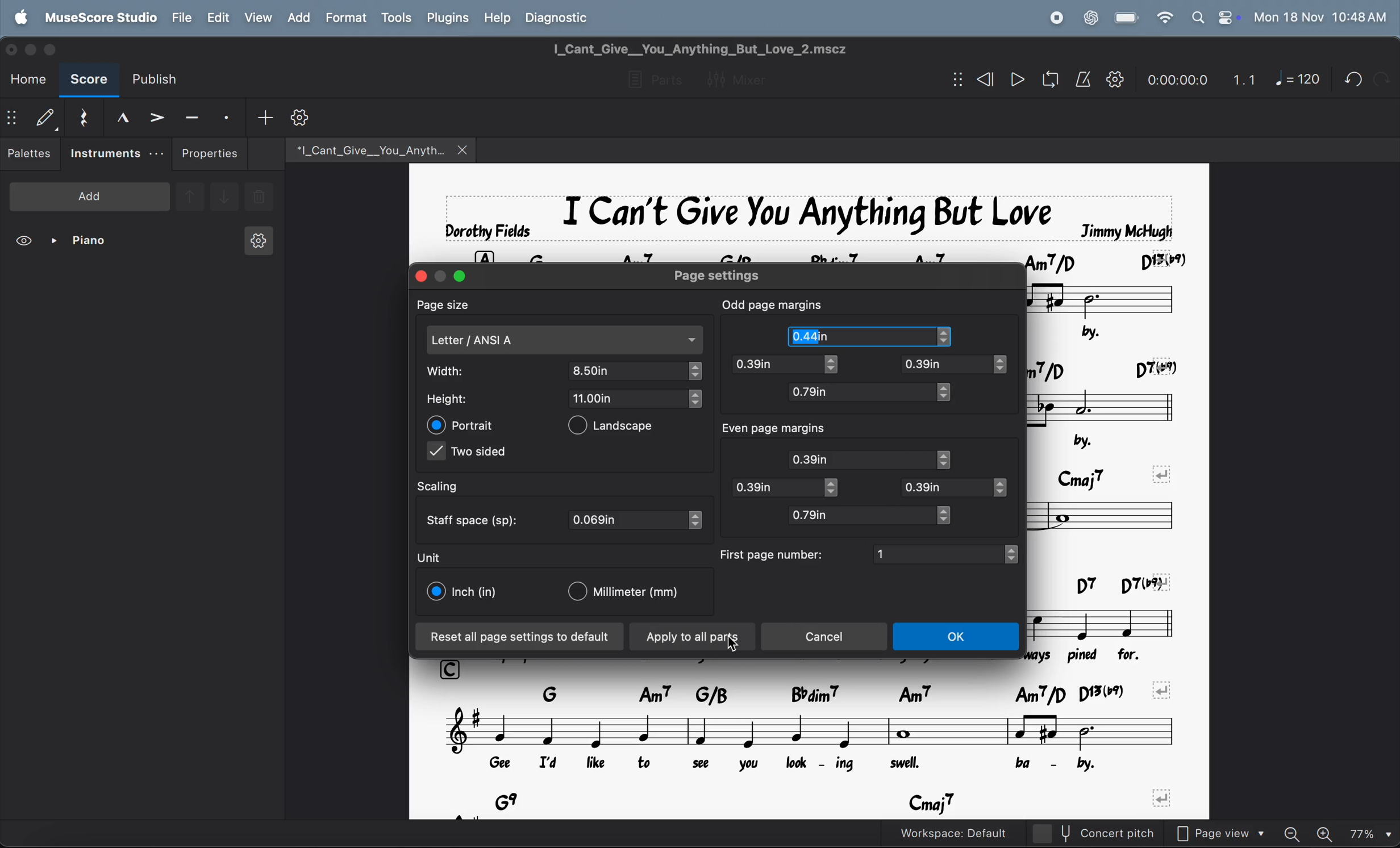 This screenshot has height=848, width=1400. Describe the element at coordinates (1002, 489) in the screenshot. I see `toggle` at that location.